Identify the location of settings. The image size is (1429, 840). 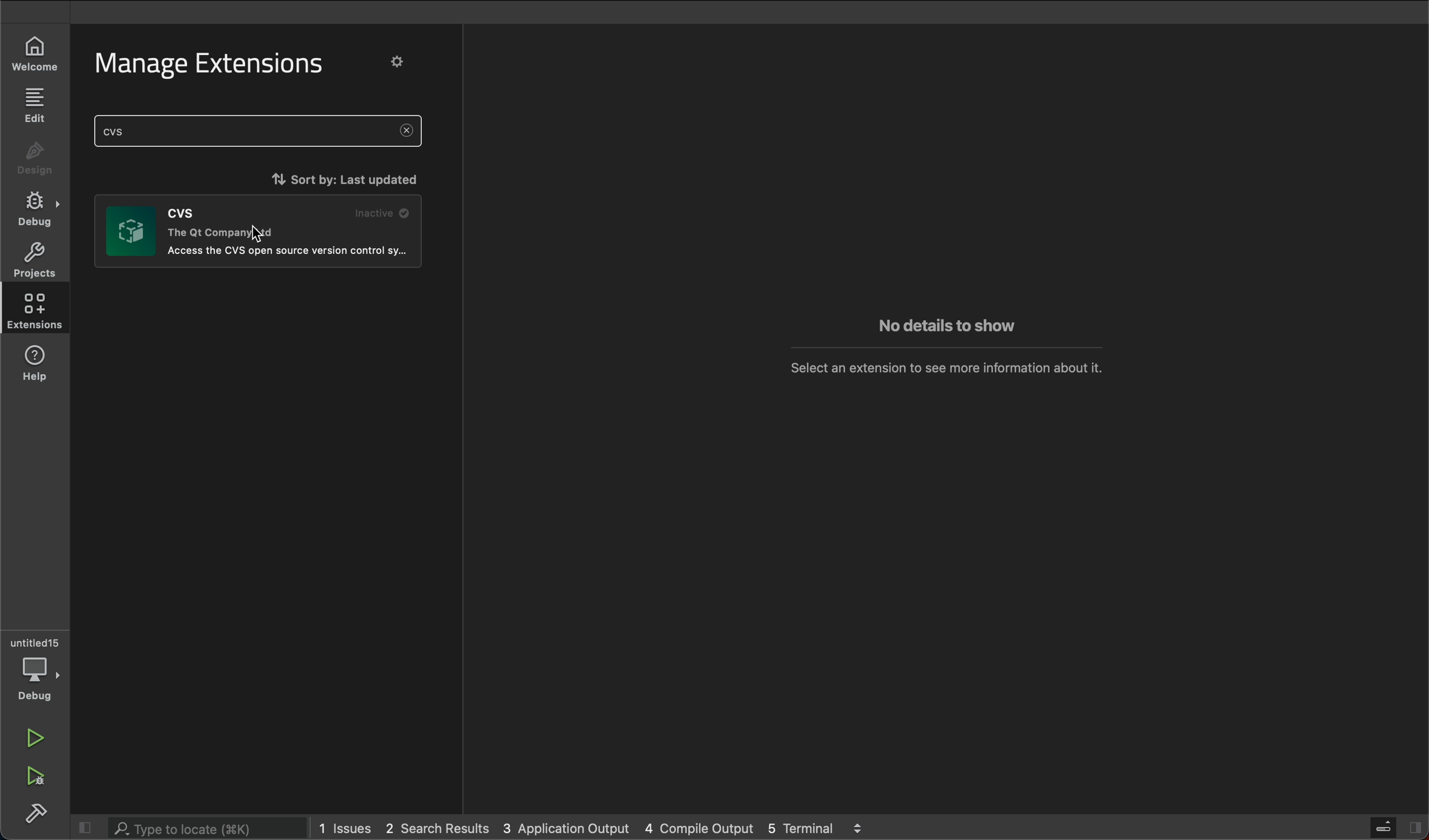
(399, 61).